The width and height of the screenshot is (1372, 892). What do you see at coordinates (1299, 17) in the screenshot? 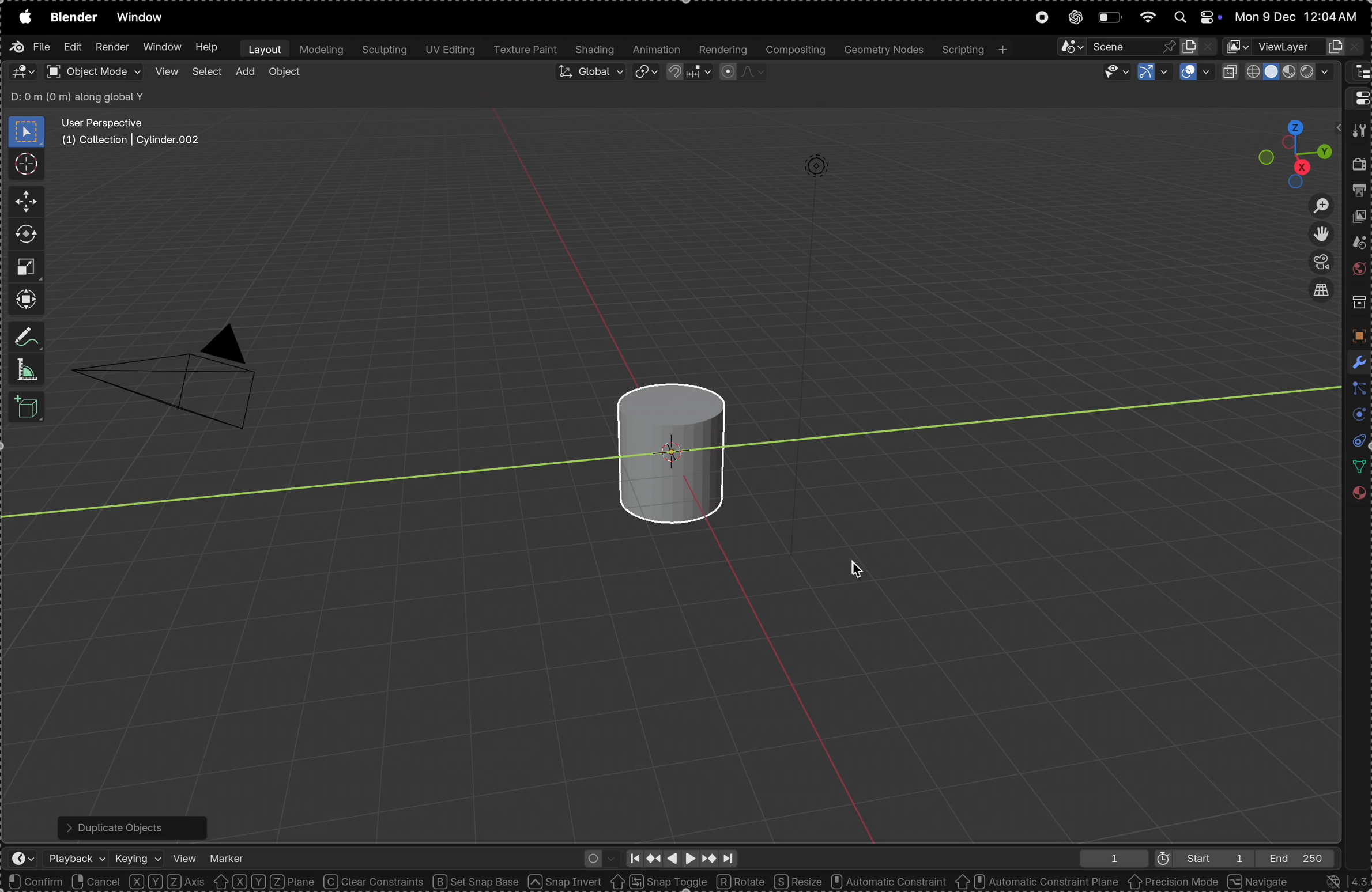
I see `date and time` at bounding box center [1299, 17].